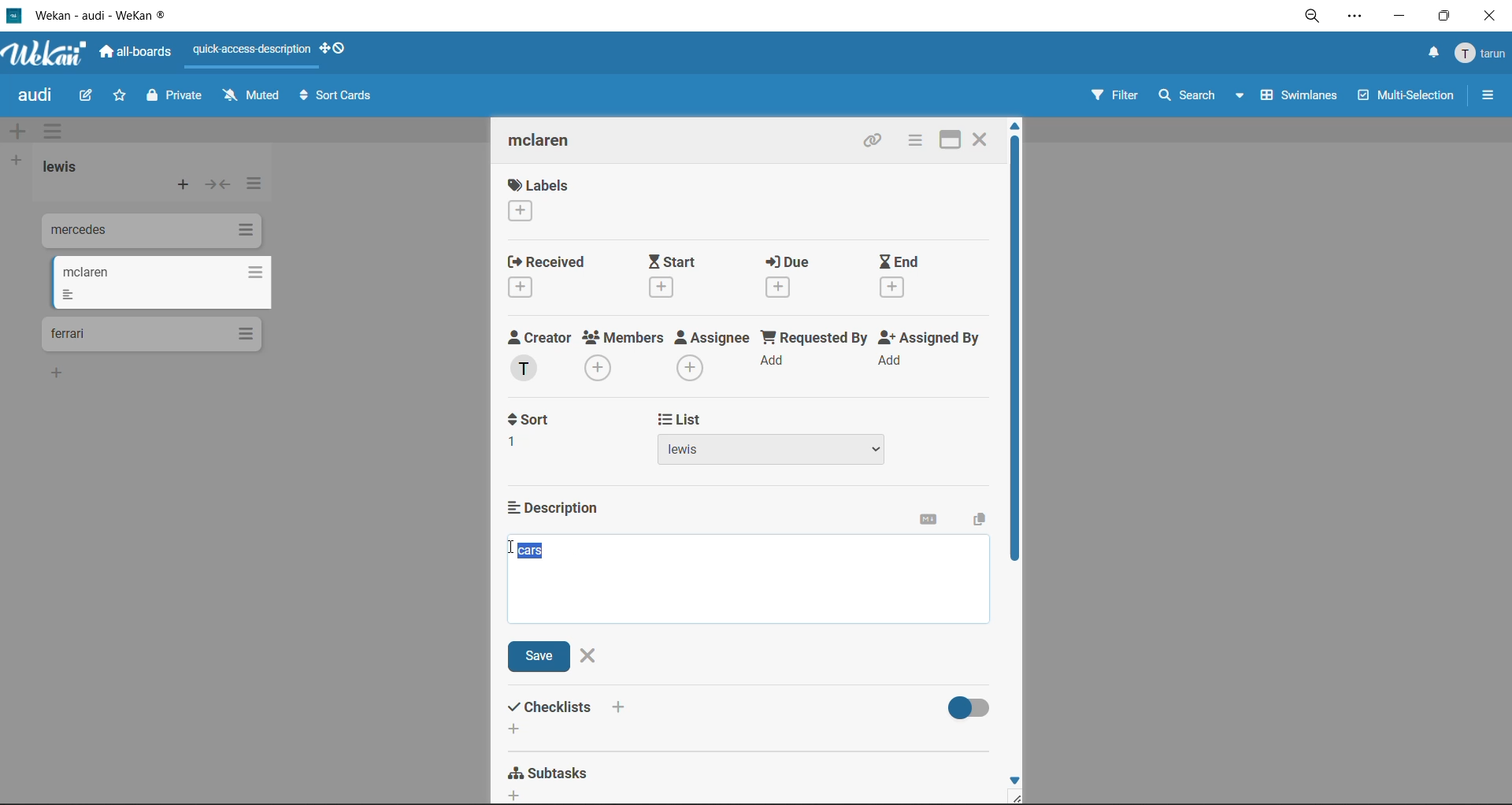  What do you see at coordinates (184, 187) in the screenshot?
I see `add card` at bounding box center [184, 187].